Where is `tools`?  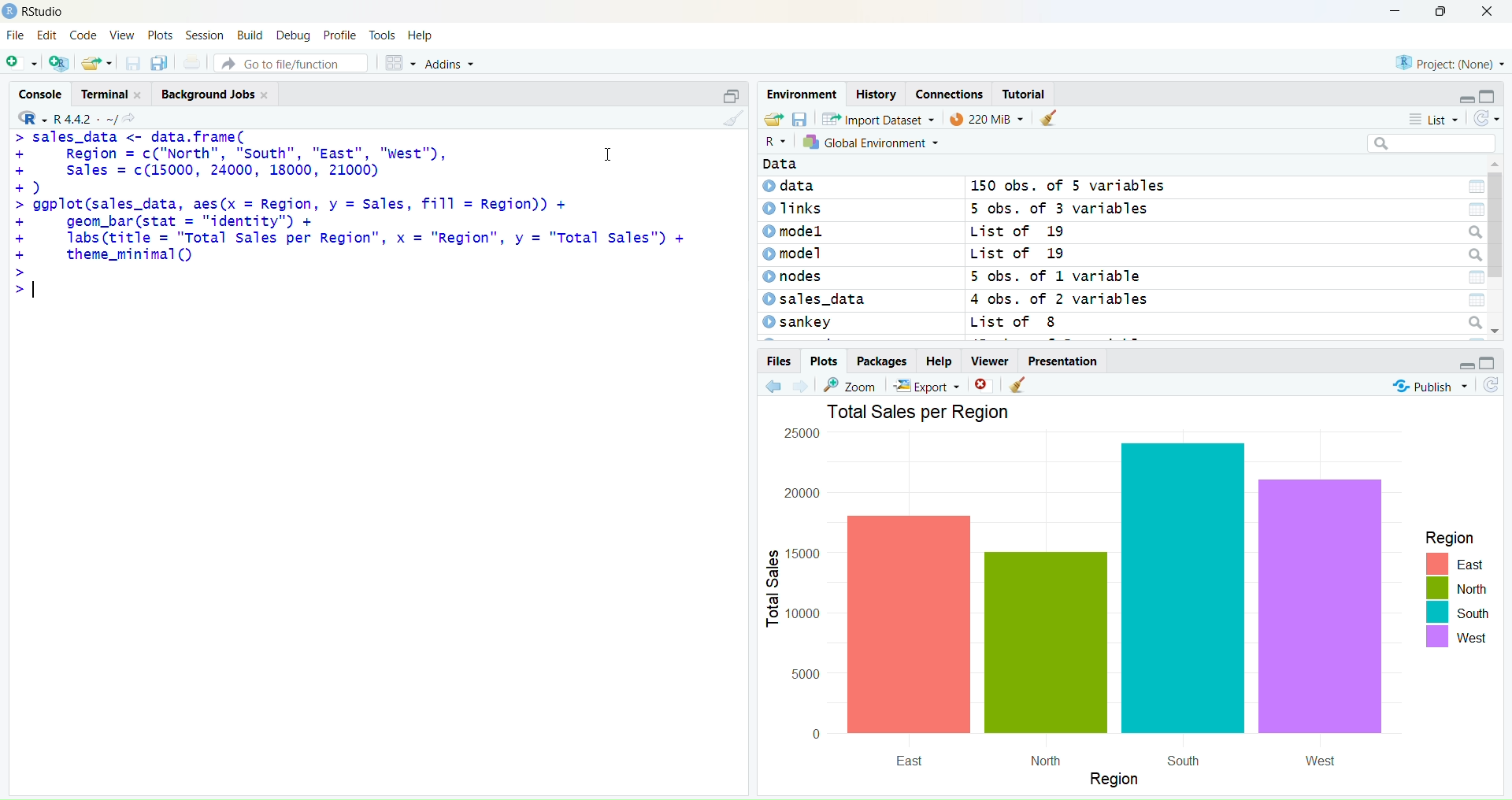
tools is located at coordinates (382, 35).